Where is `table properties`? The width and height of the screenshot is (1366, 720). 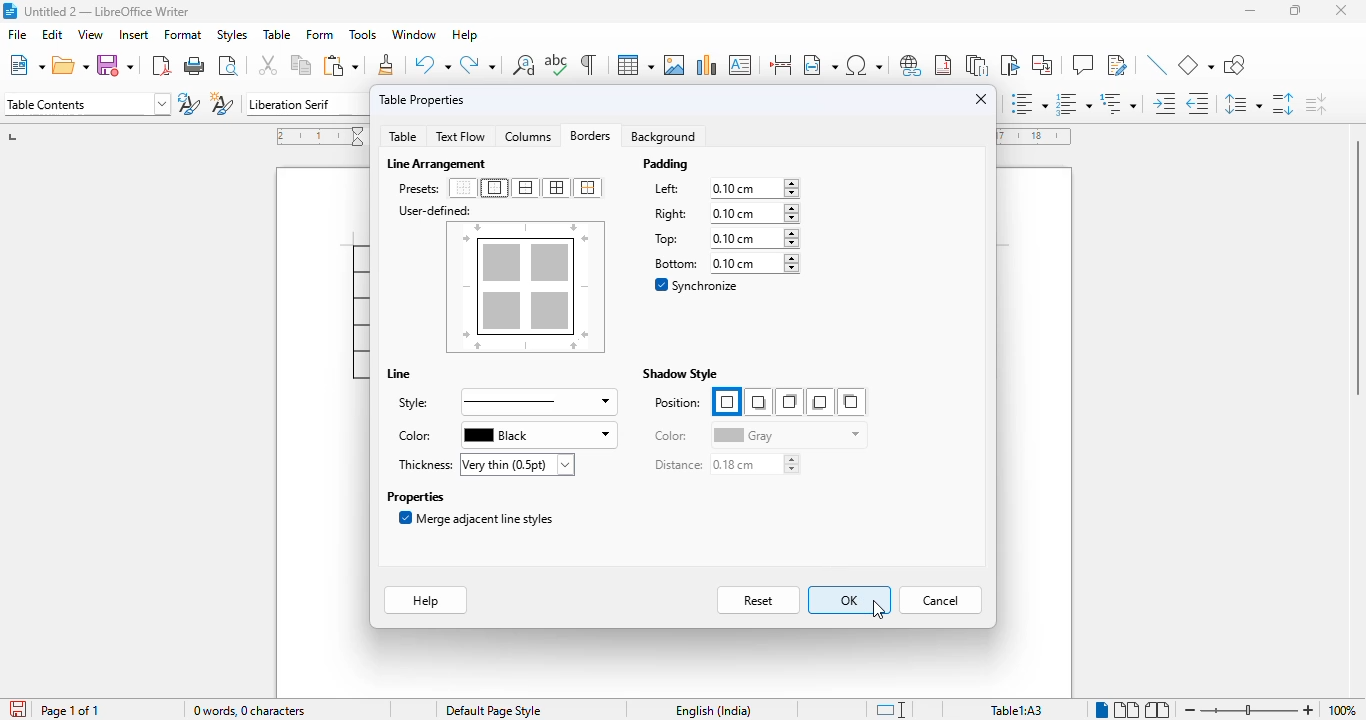
table properties is located at coordinates (422, 99).